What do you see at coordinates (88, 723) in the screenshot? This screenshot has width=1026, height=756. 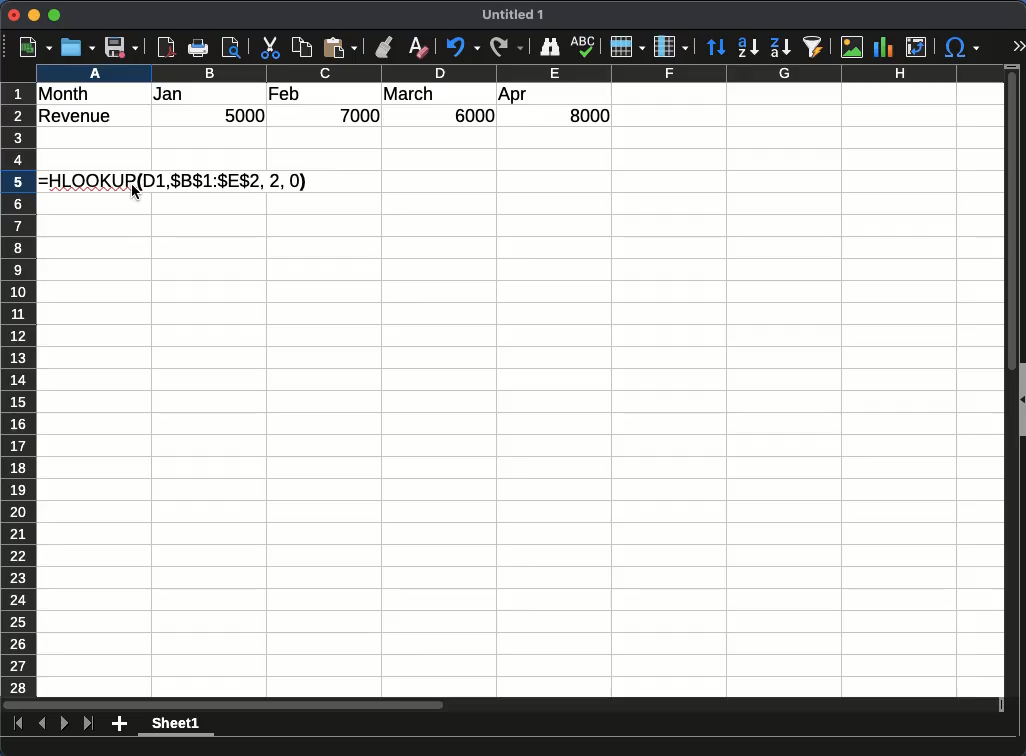 I see `last sheet` at bounding box center [88, 723].